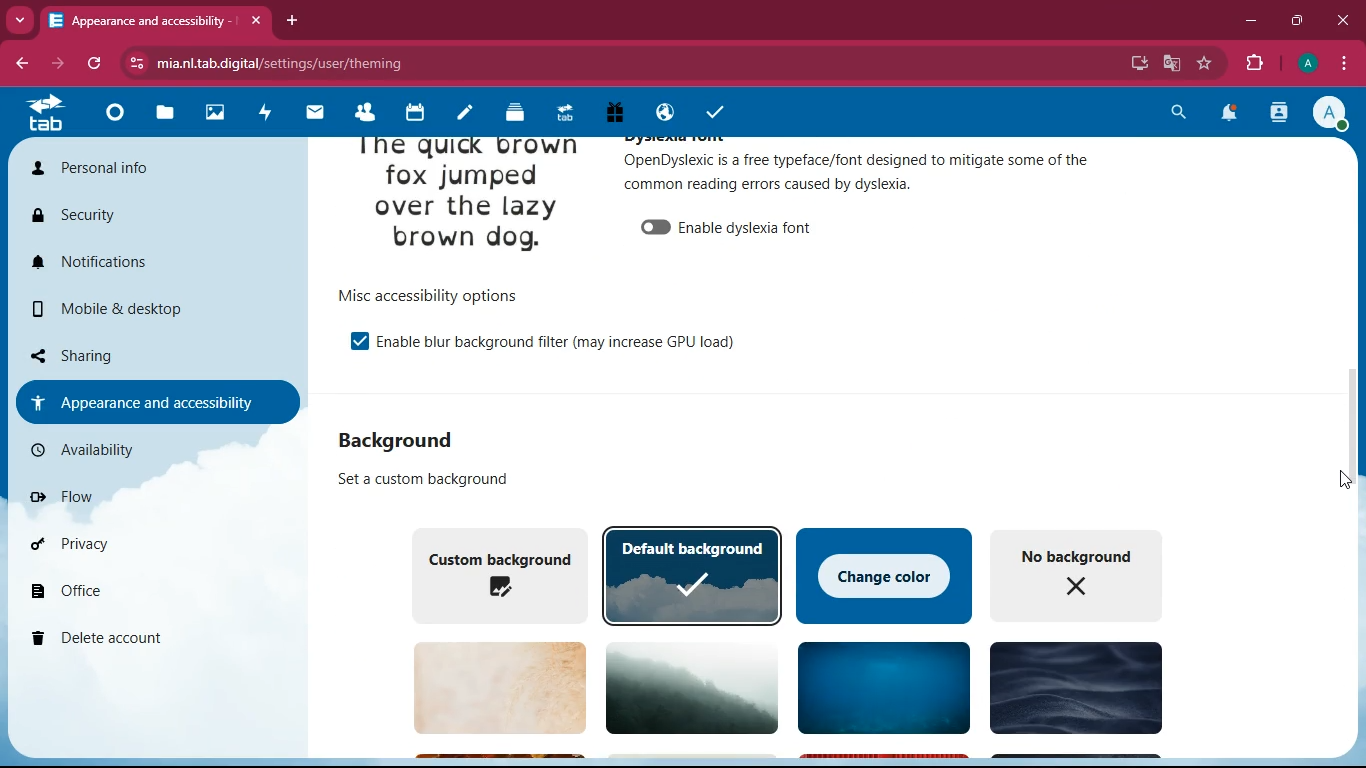 This screenshot has height=768, width=1366. Describe the element at coordinates (213, 111) in the screenshot. I see `images` at that location.